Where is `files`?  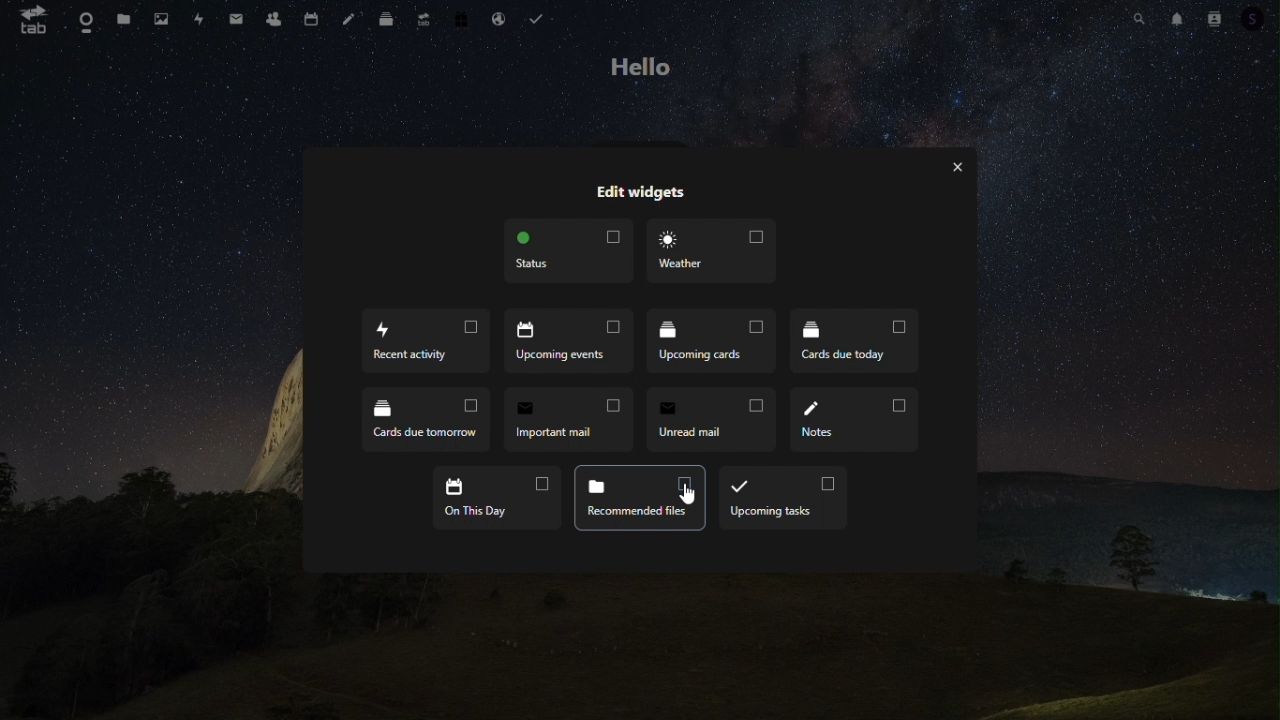
files is located at coordinates (123, 19).